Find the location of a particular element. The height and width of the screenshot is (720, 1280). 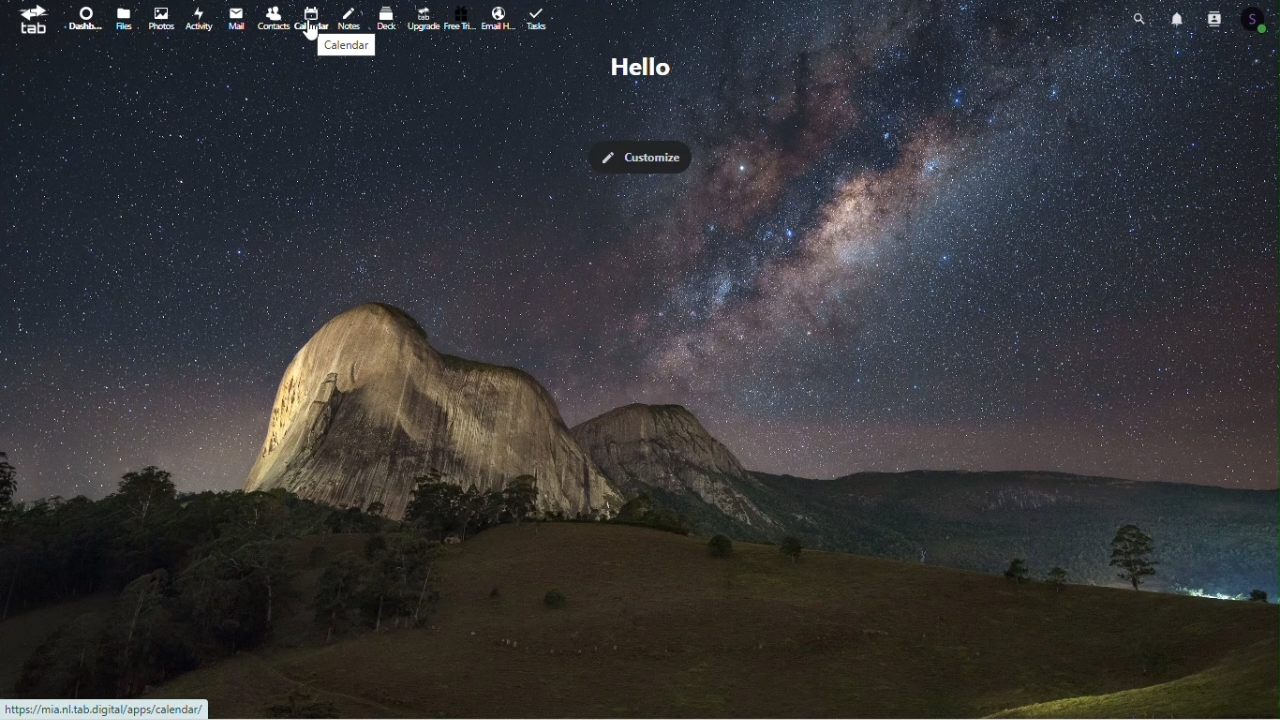

activity is located at coordinates (198, 20).